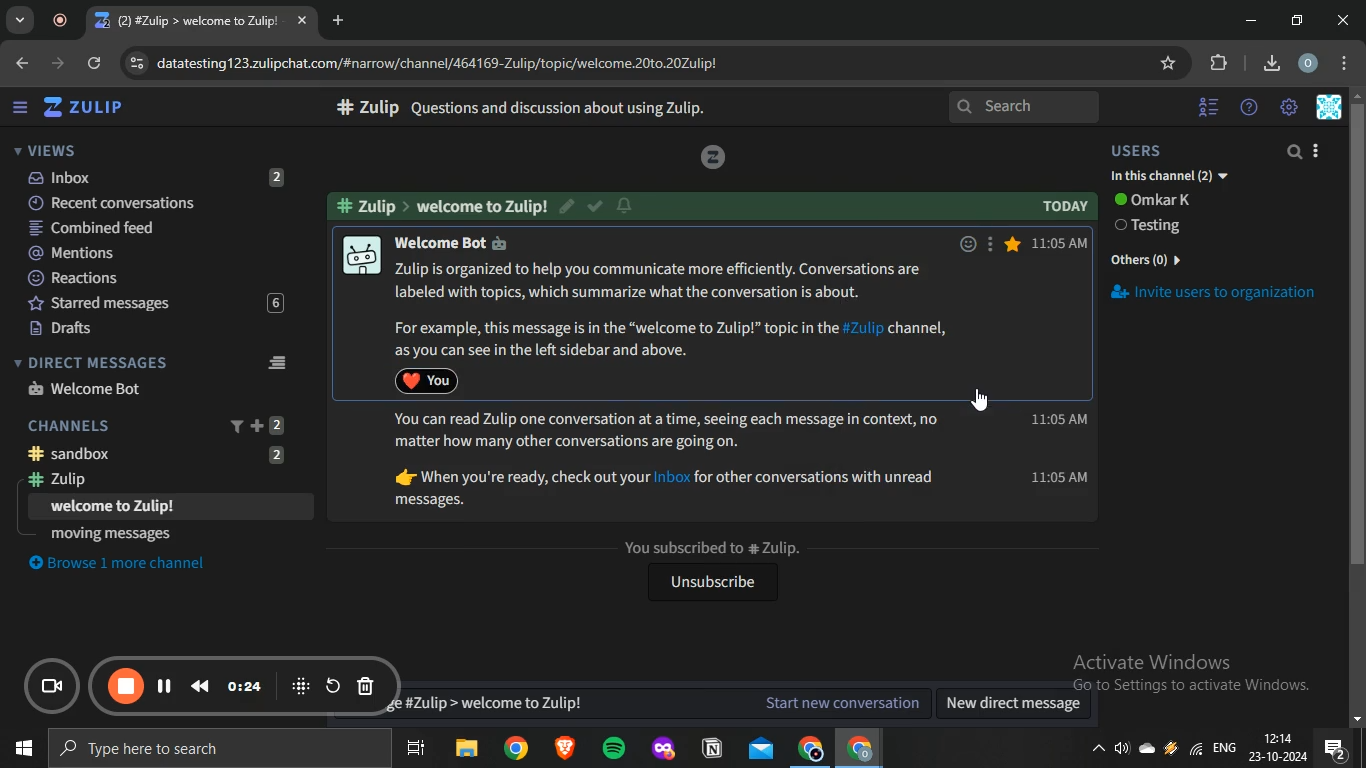 The image size is (1366, 768). Describe the element at coordinates (1335, 749) in the screenshot. I see `notifications` at that location.